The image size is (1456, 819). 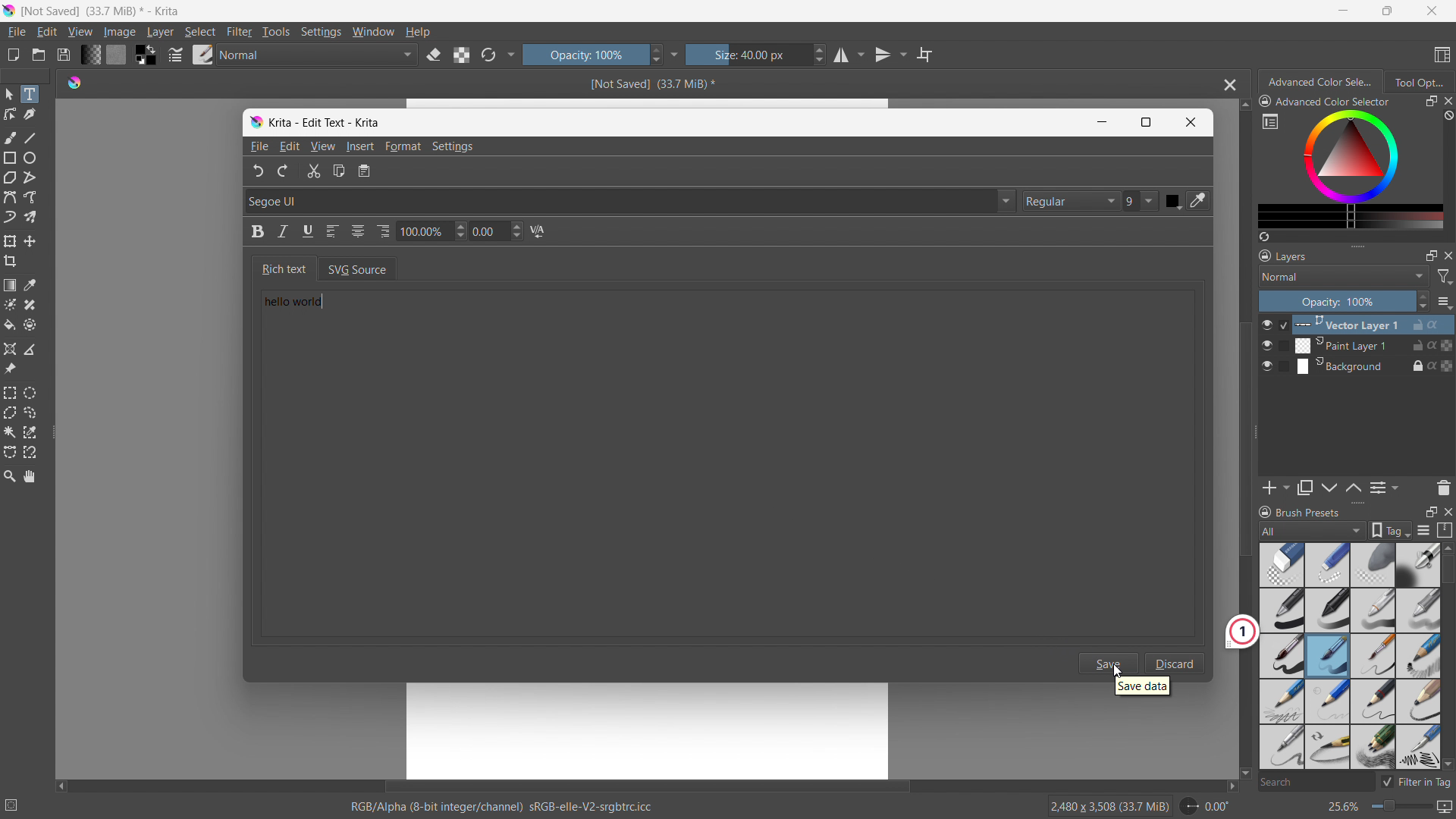 I want to click on Redo, so click(x=284, y=170).